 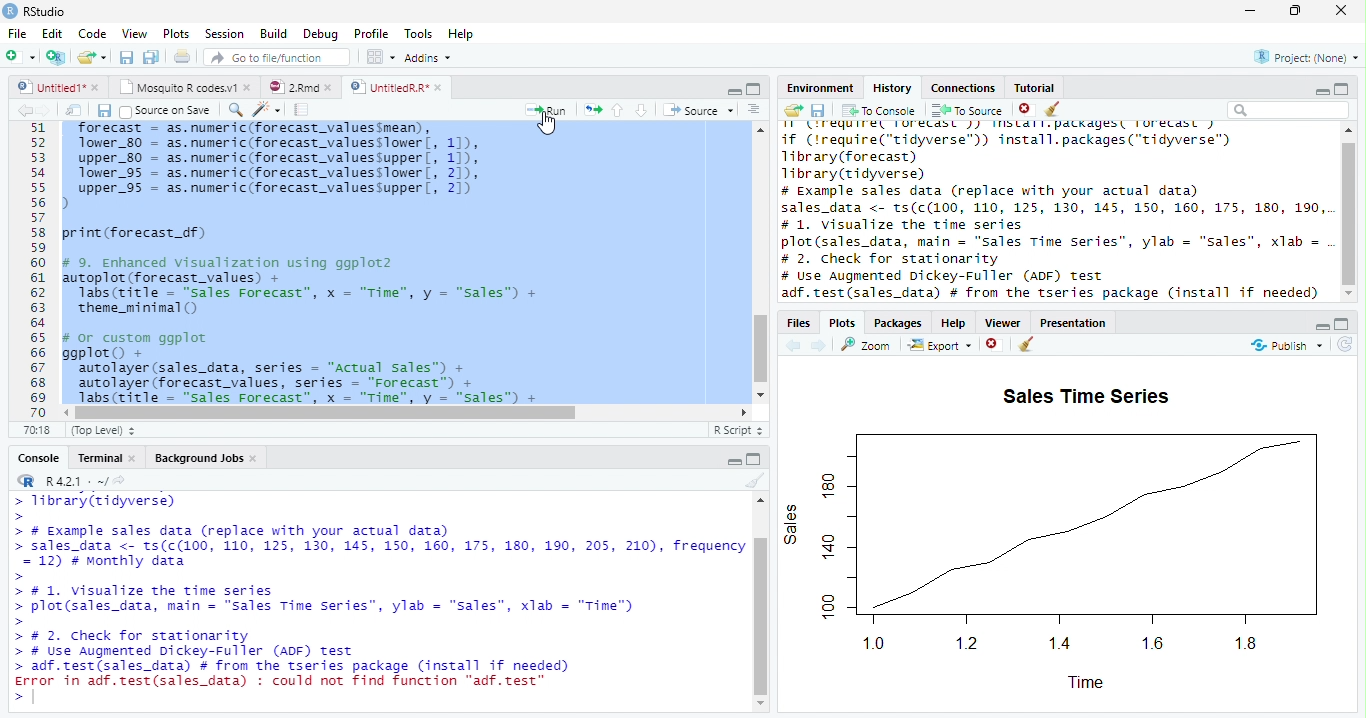 I want to click on History, so click(x=893, y=88).